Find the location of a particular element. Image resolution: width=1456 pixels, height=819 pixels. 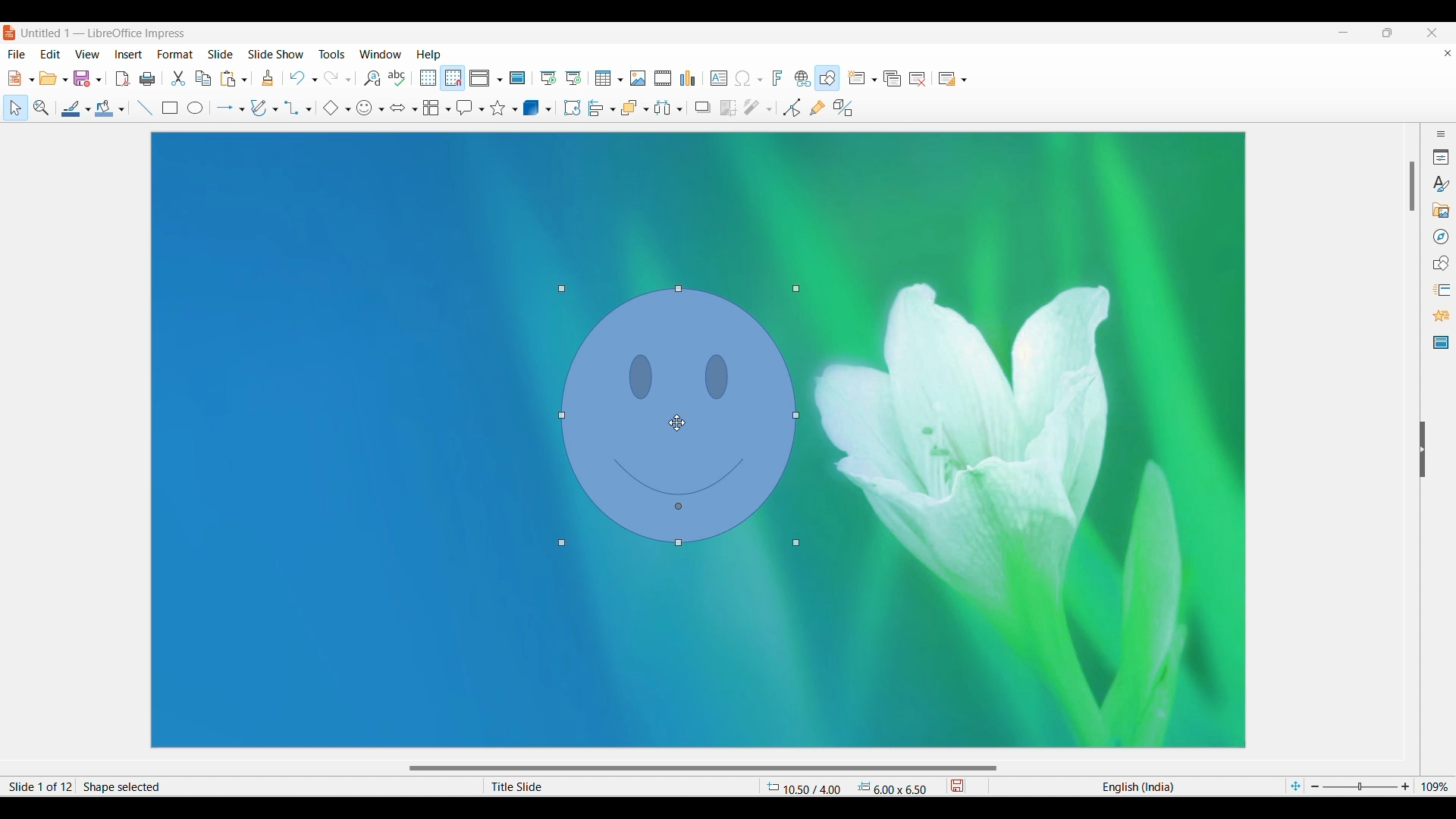

Selected arrow is located at coordinates (225, 108).